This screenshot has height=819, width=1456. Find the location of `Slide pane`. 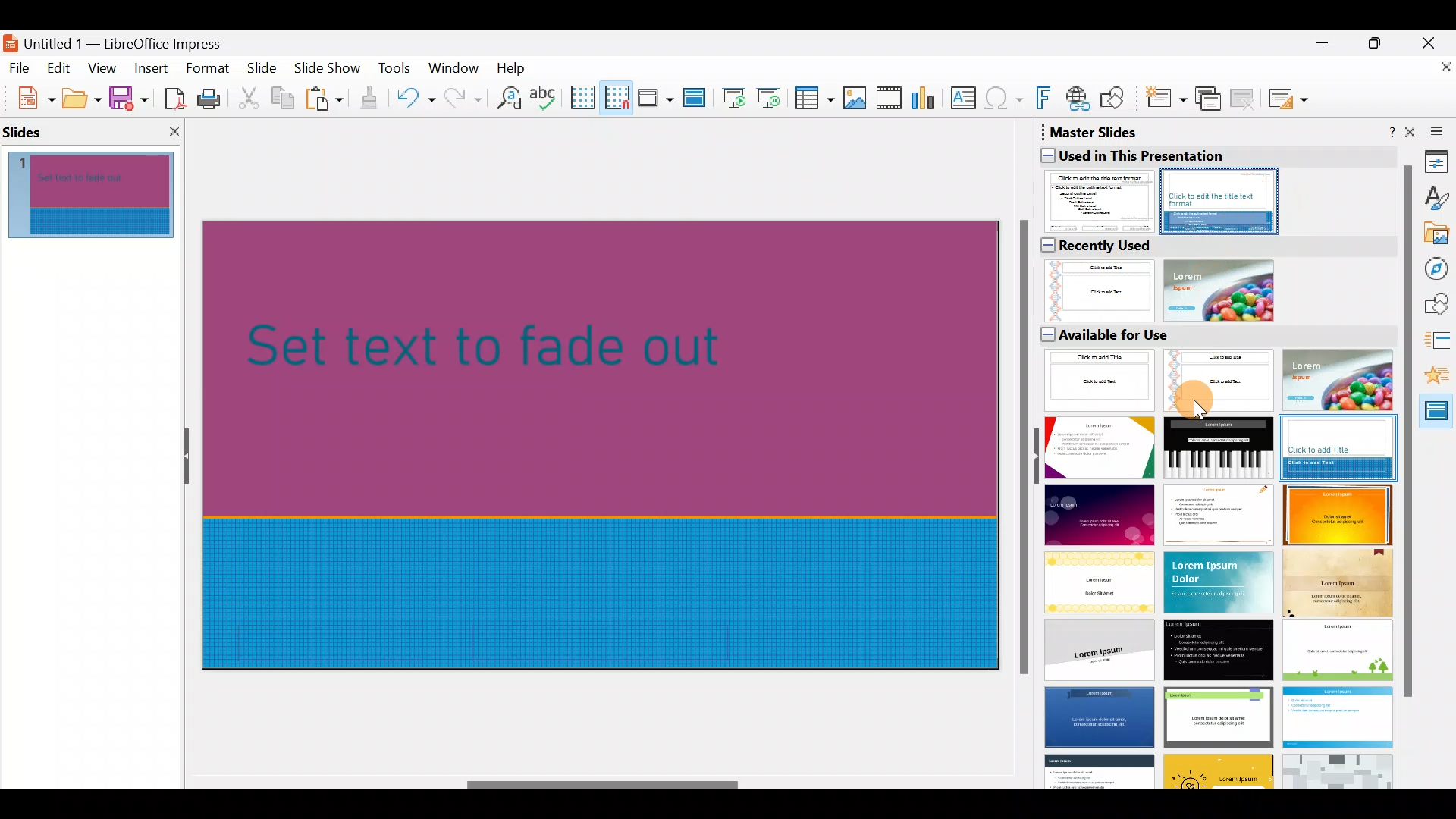

Slide pane is located at coordinates (100, 199).